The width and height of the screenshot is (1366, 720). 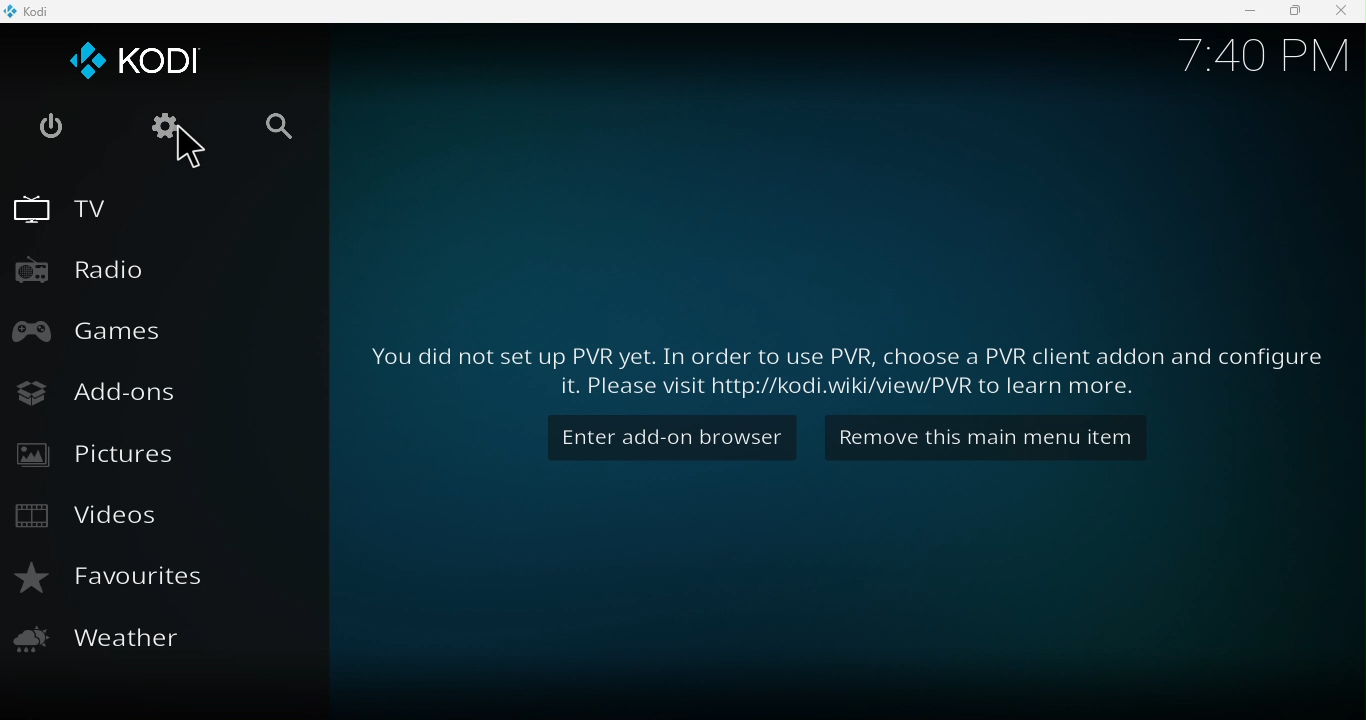 I want to click on Pictures, so click(x=104, y=454).